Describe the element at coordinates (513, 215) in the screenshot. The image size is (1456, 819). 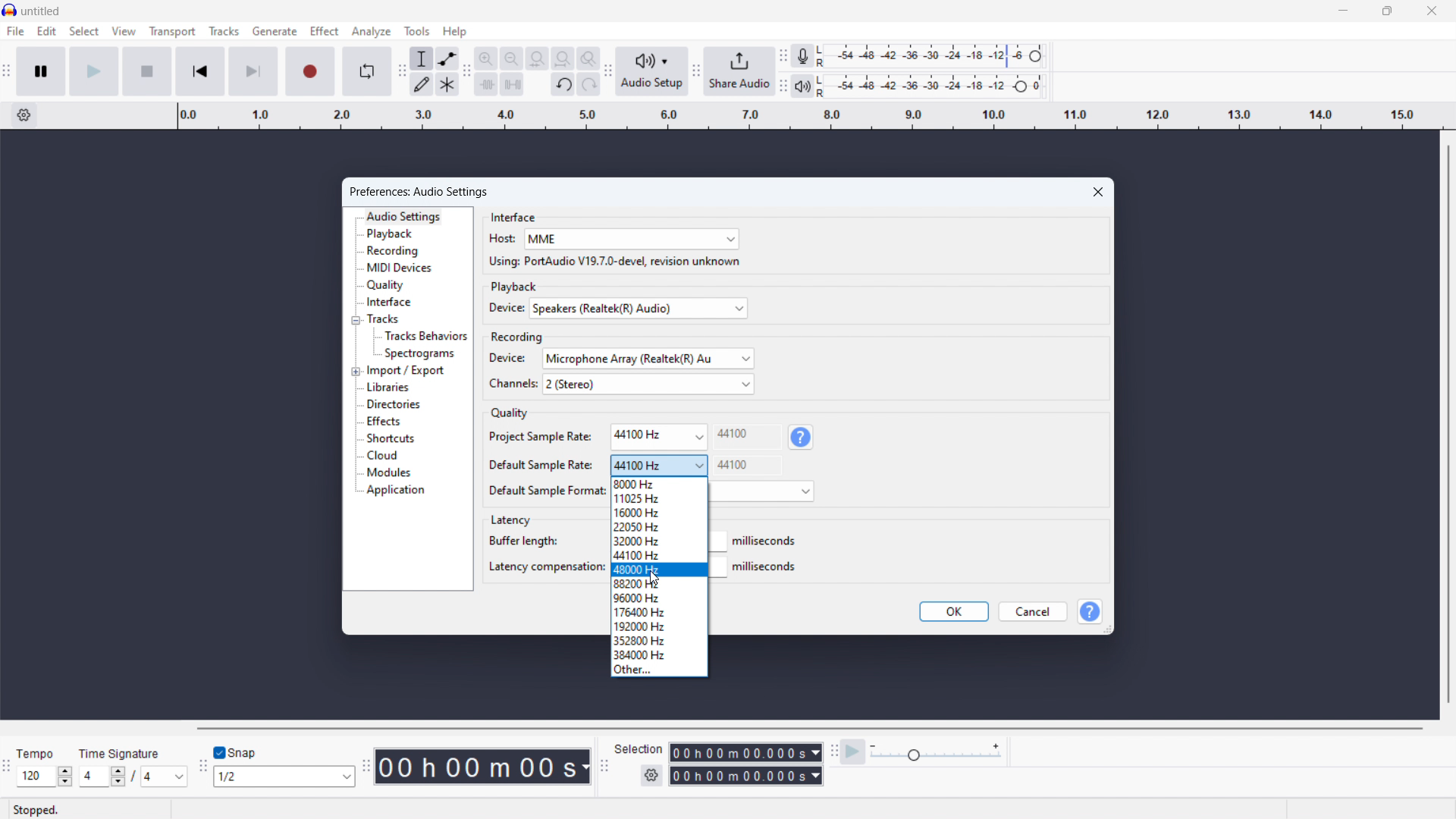
I see `interface` at that location.